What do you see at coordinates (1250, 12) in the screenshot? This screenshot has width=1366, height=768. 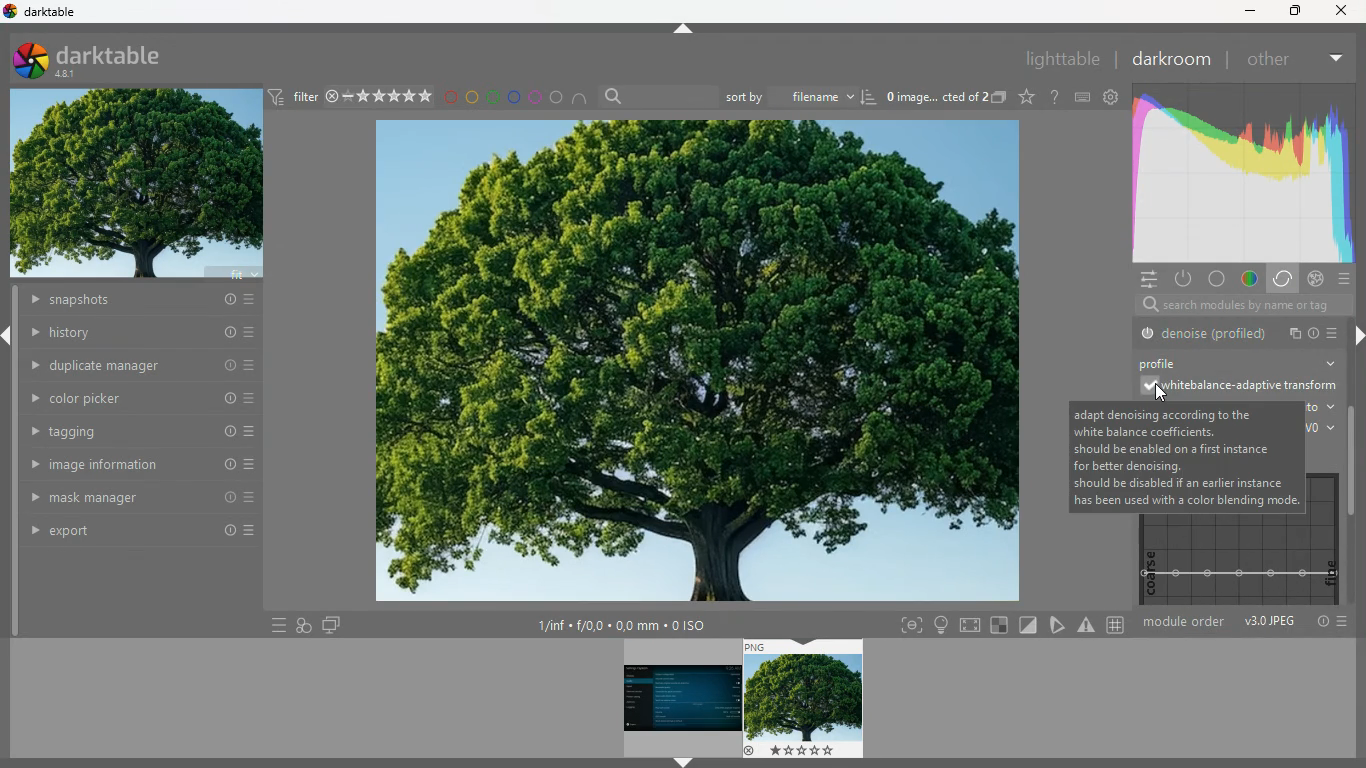 I see `minimize` at bounding box center [1250, 12].